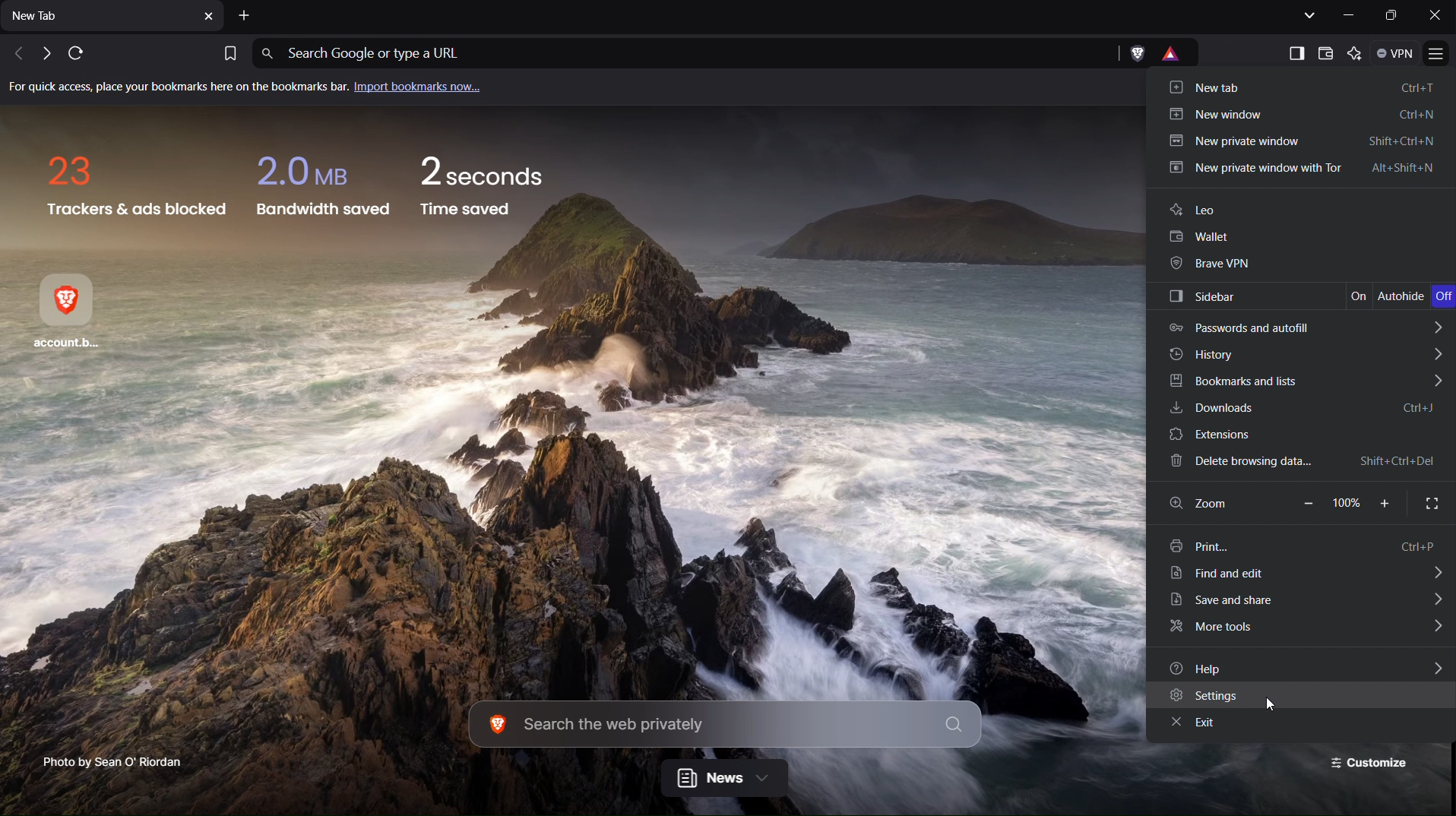 Image resolution: width=1456 pixels, height=816 pixels. Describe the element at coordinates (1435, 15) in the screenshot. I see `Close` at that location.